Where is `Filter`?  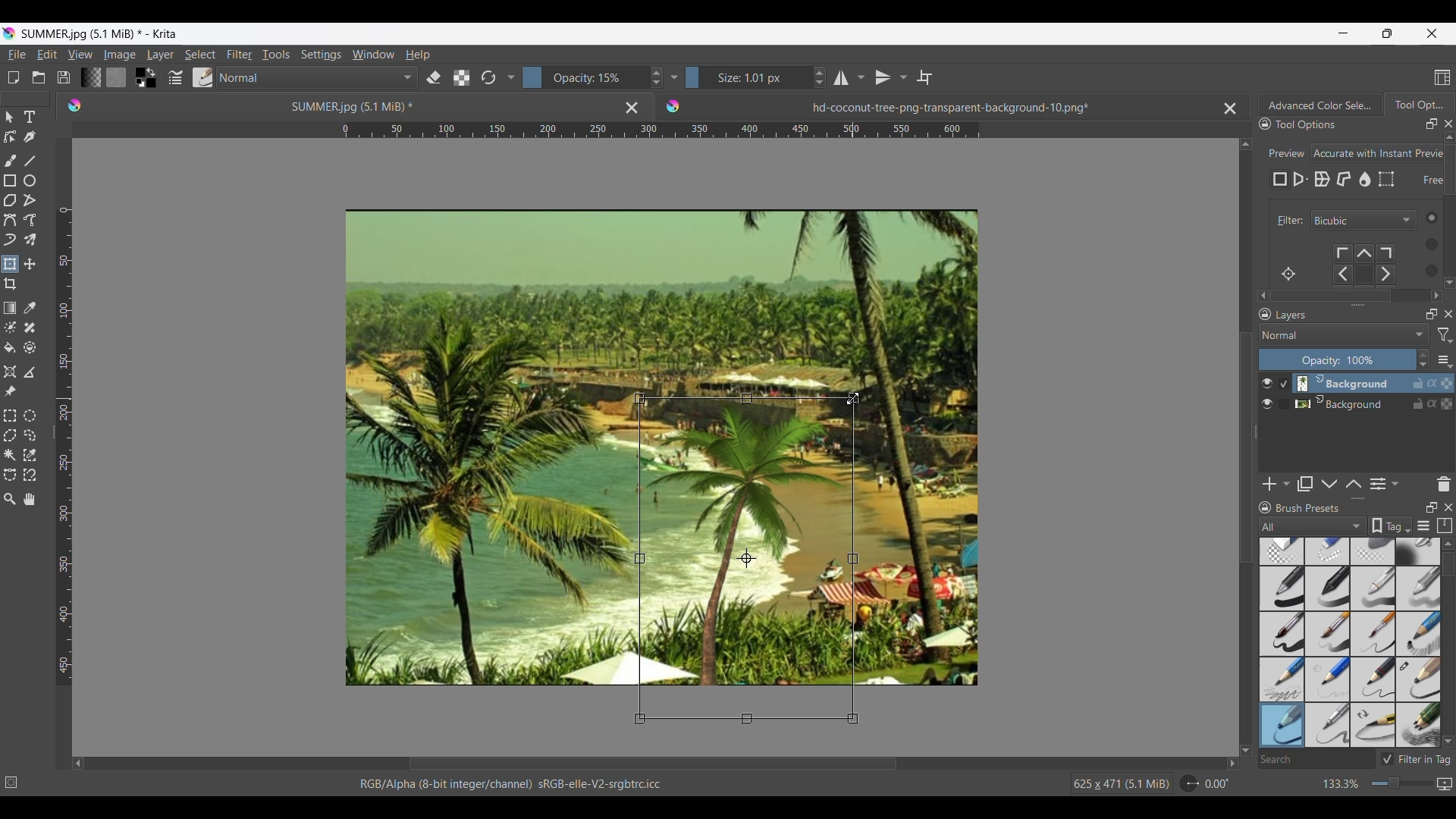
Filter is located at coordinates (239, 55).